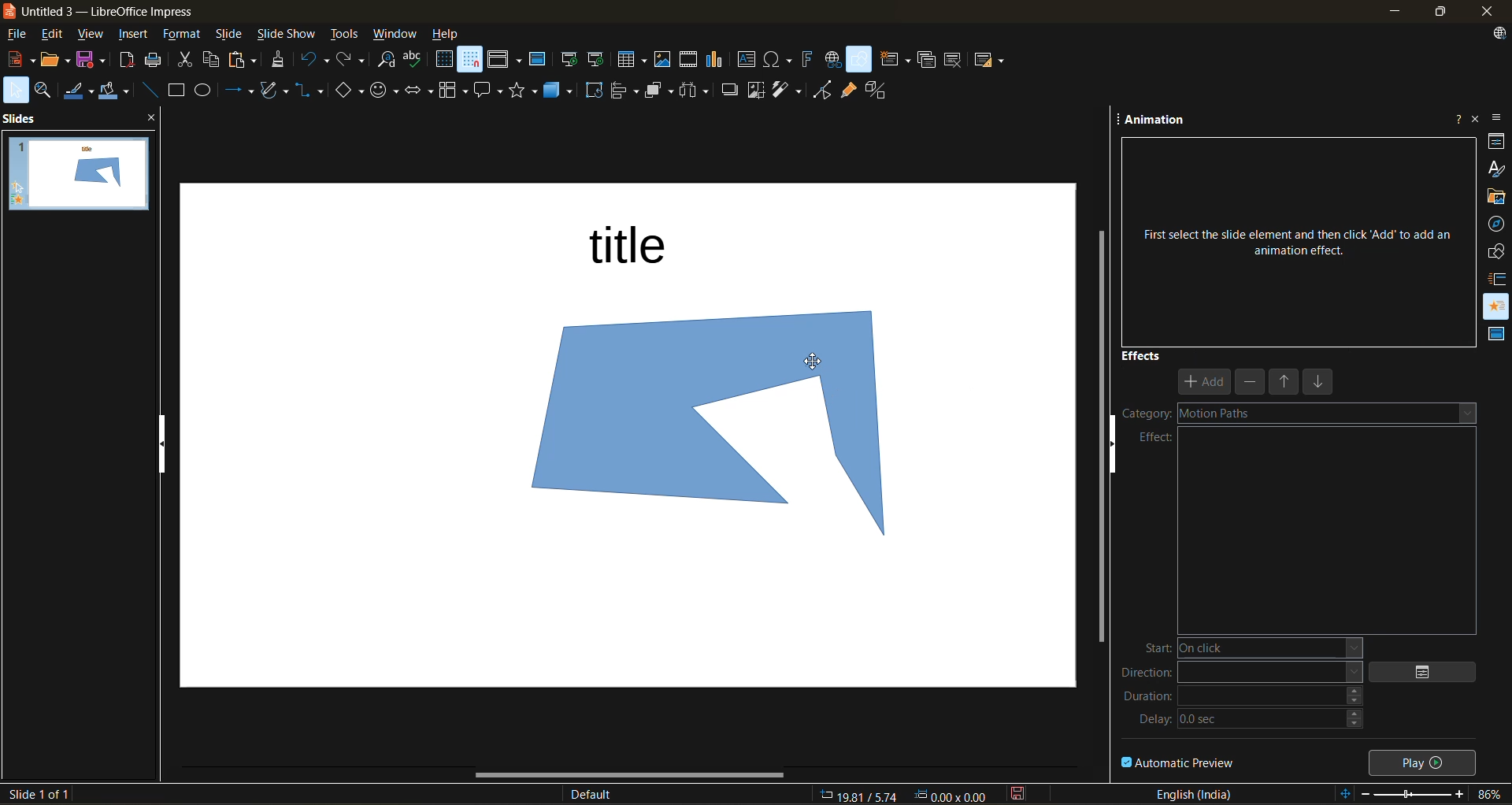 The width and height of the screenshot is (1512, 805). I want to click on untitled 3 - LibreOffice Impress, so click(124, 9).